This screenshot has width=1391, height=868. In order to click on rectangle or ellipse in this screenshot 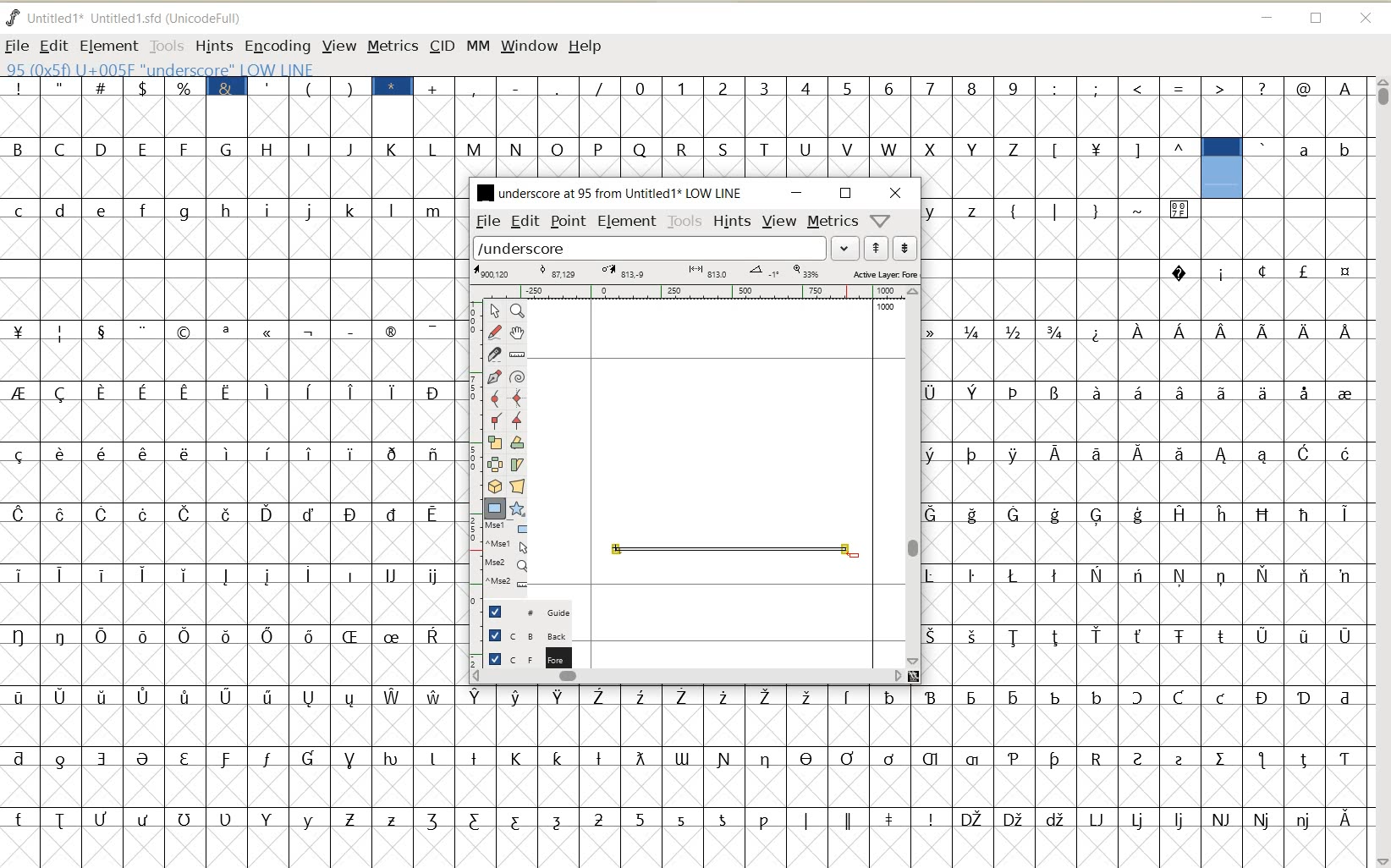, I will do `click(496, 508)`.